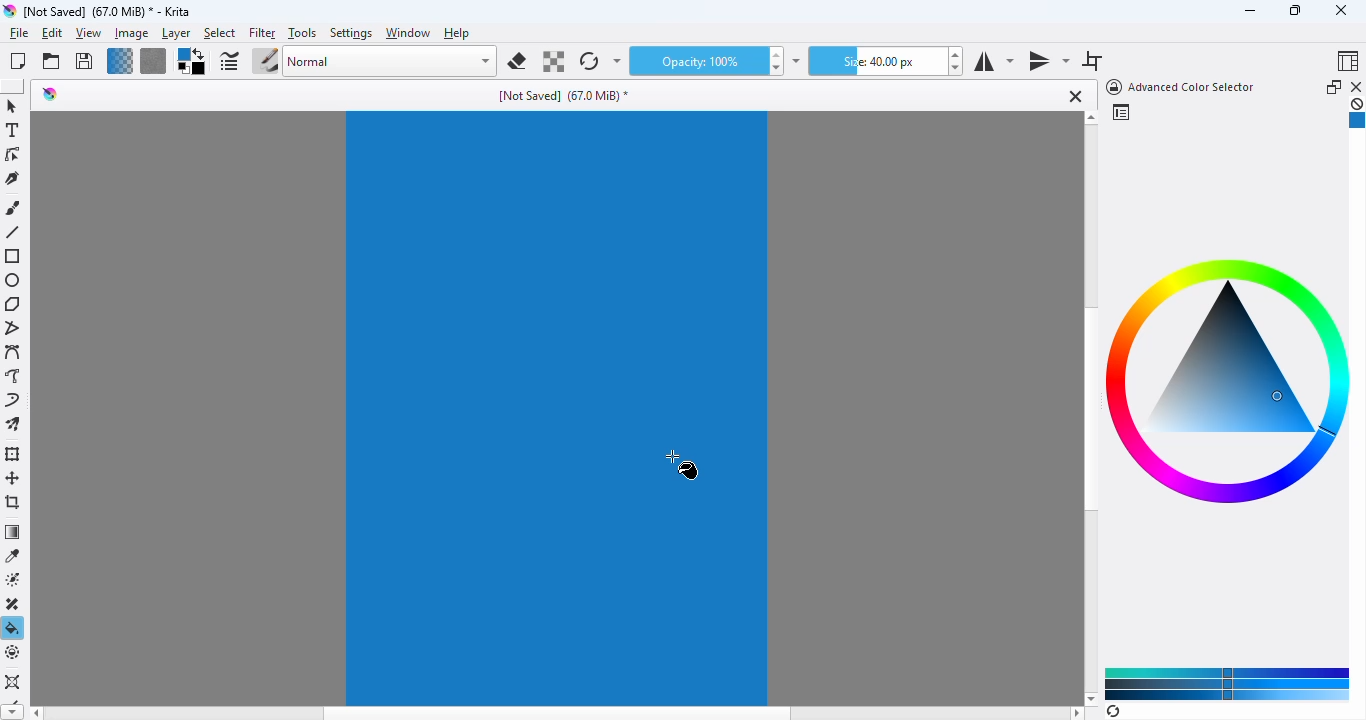 Image resolution: width=1366 pixels, height=720 pixels. What do you see at coordinates (12, 712) in the screenshot?
I see `scroll down` at bounding box center [12, 712].